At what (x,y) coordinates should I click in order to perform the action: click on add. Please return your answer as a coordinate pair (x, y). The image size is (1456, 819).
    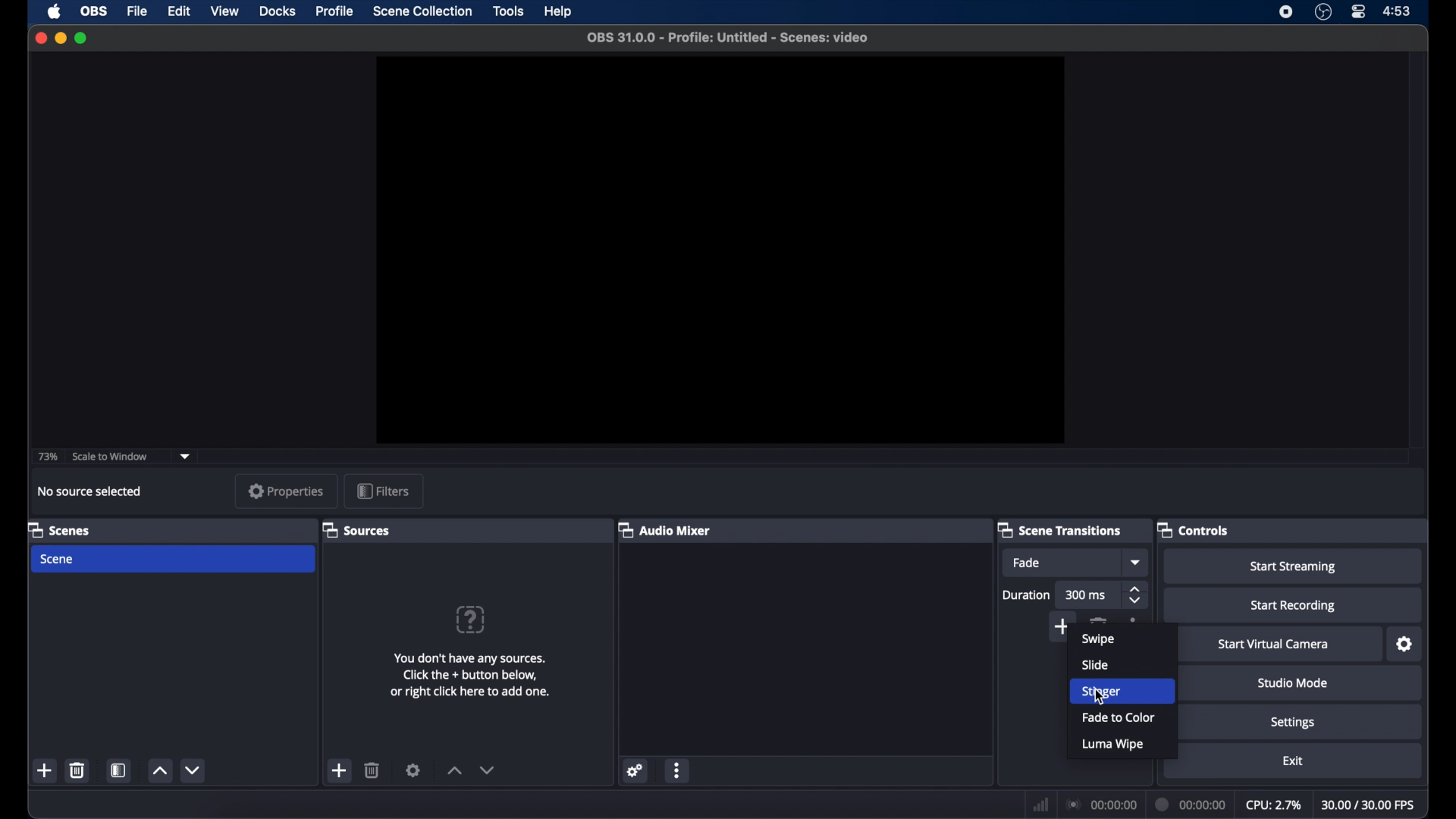
    Looking at the image, I should click on (337, 770).